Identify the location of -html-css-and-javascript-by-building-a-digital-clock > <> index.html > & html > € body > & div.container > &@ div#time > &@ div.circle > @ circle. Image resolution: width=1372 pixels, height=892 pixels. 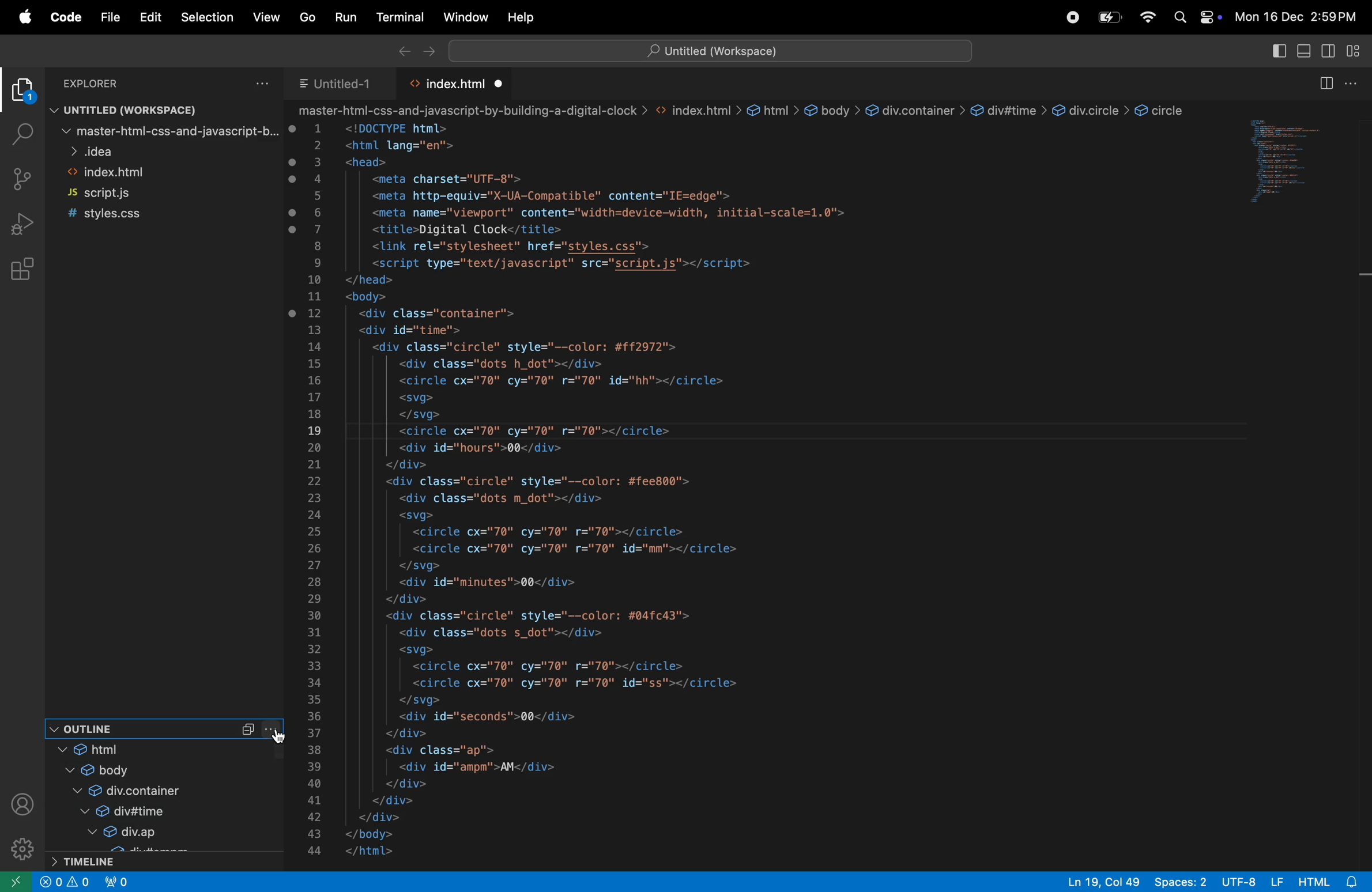
(747, 110).